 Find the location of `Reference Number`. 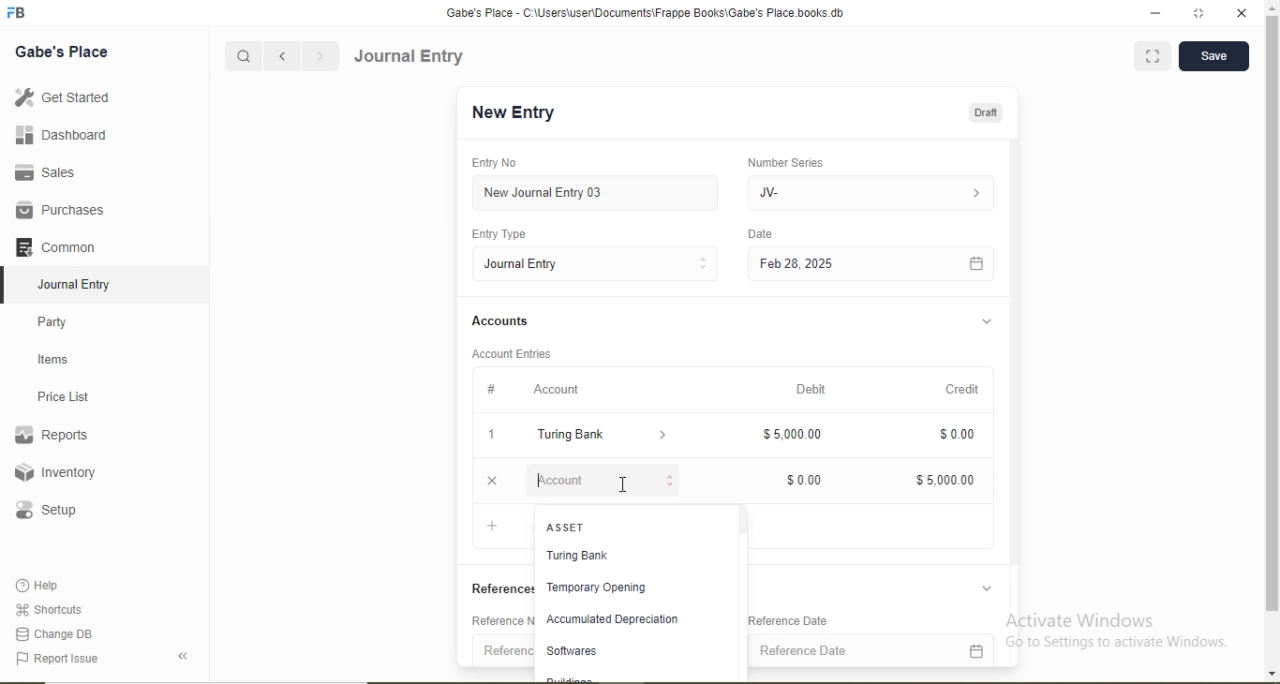

Reference Number is located at coordinates (507, 650).